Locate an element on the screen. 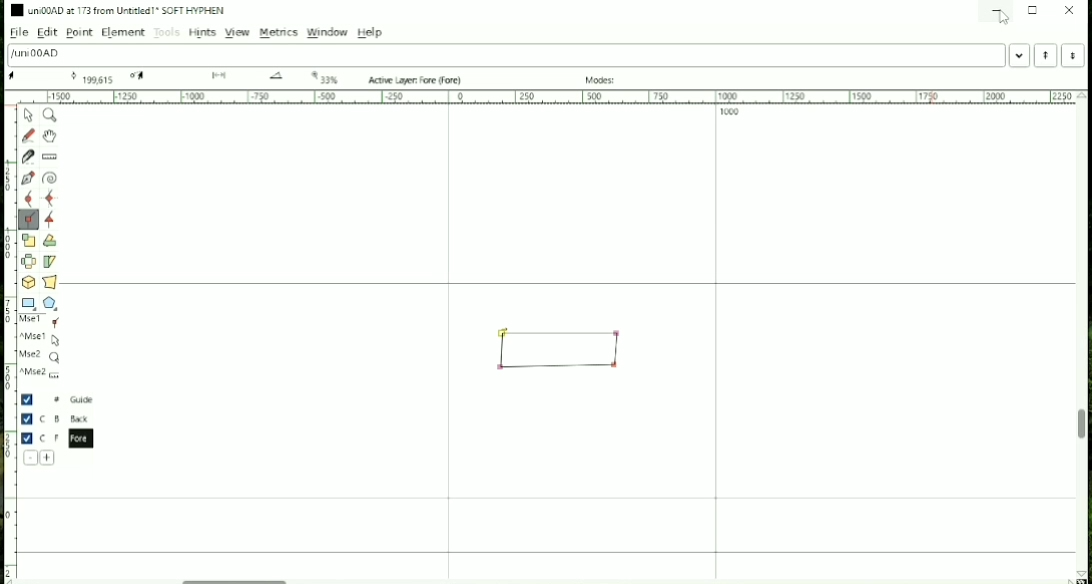  173 Oxad U+00AD "uni00AD" SOFT HYPHEN is located at coordinates (19, 77).